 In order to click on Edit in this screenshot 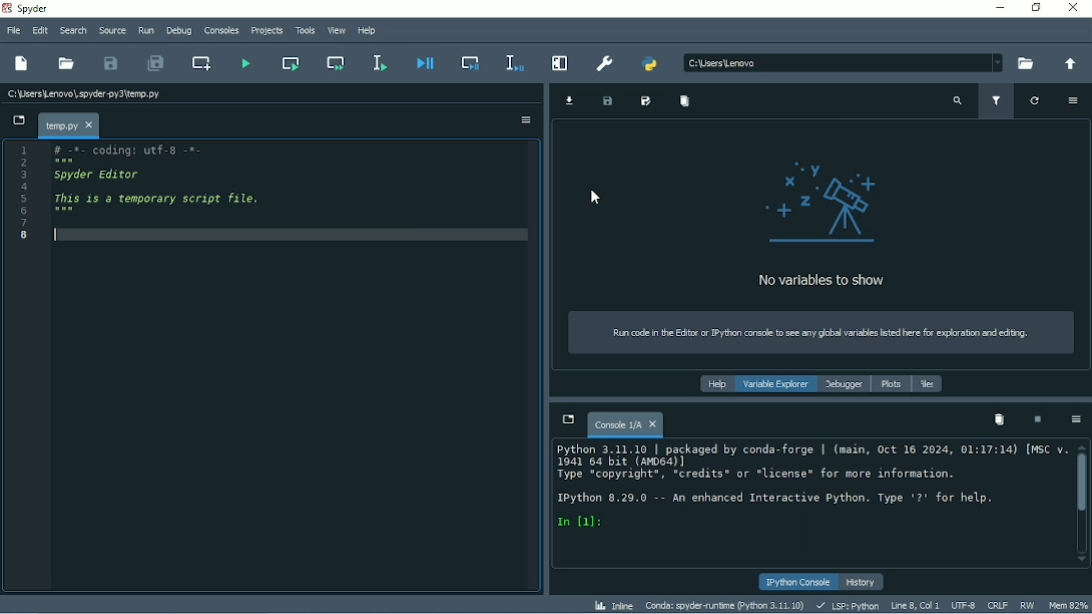, I will do `click(39, 29)`.